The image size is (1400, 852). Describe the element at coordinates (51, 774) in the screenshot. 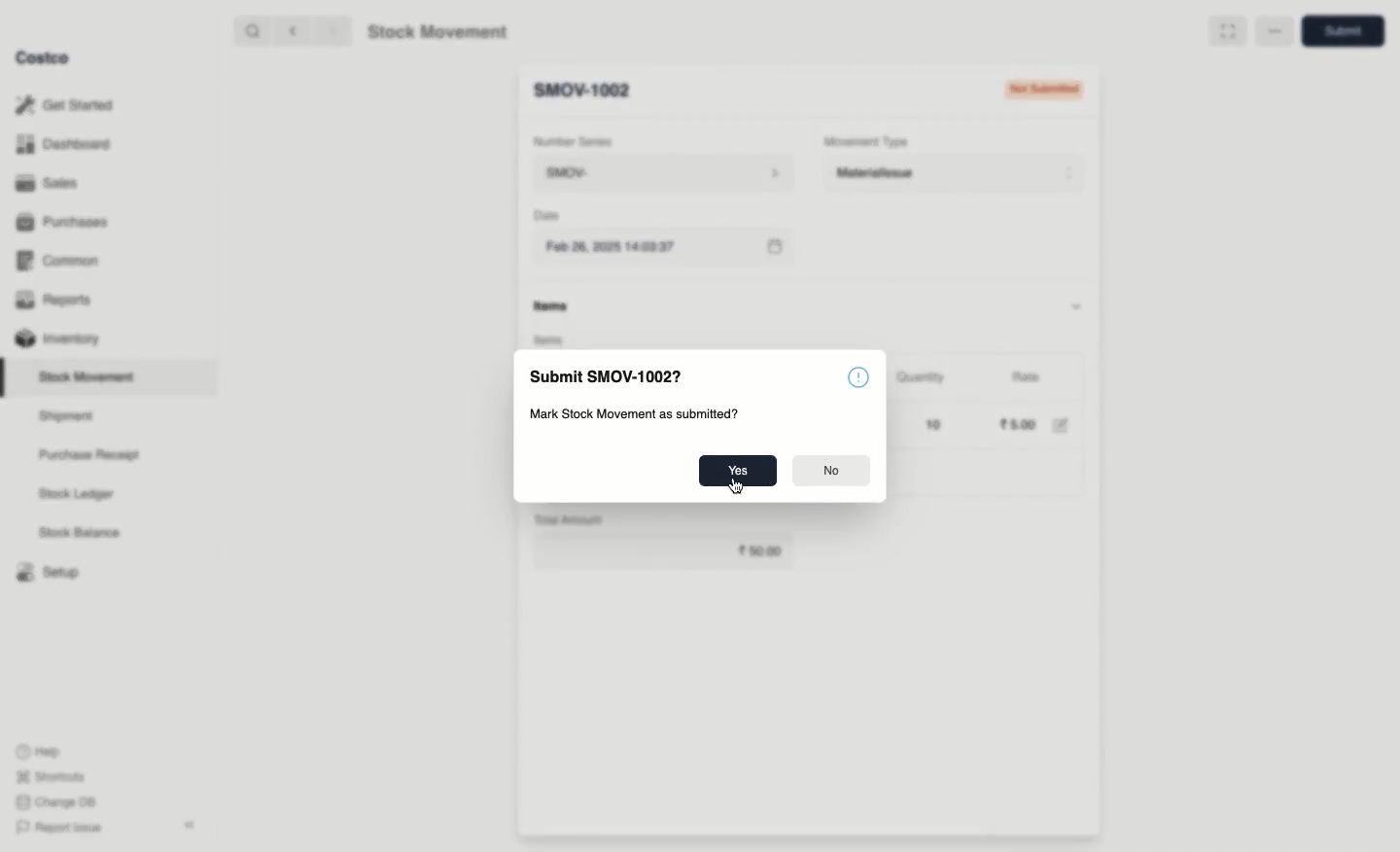

I see `Shortcuts` at that location.